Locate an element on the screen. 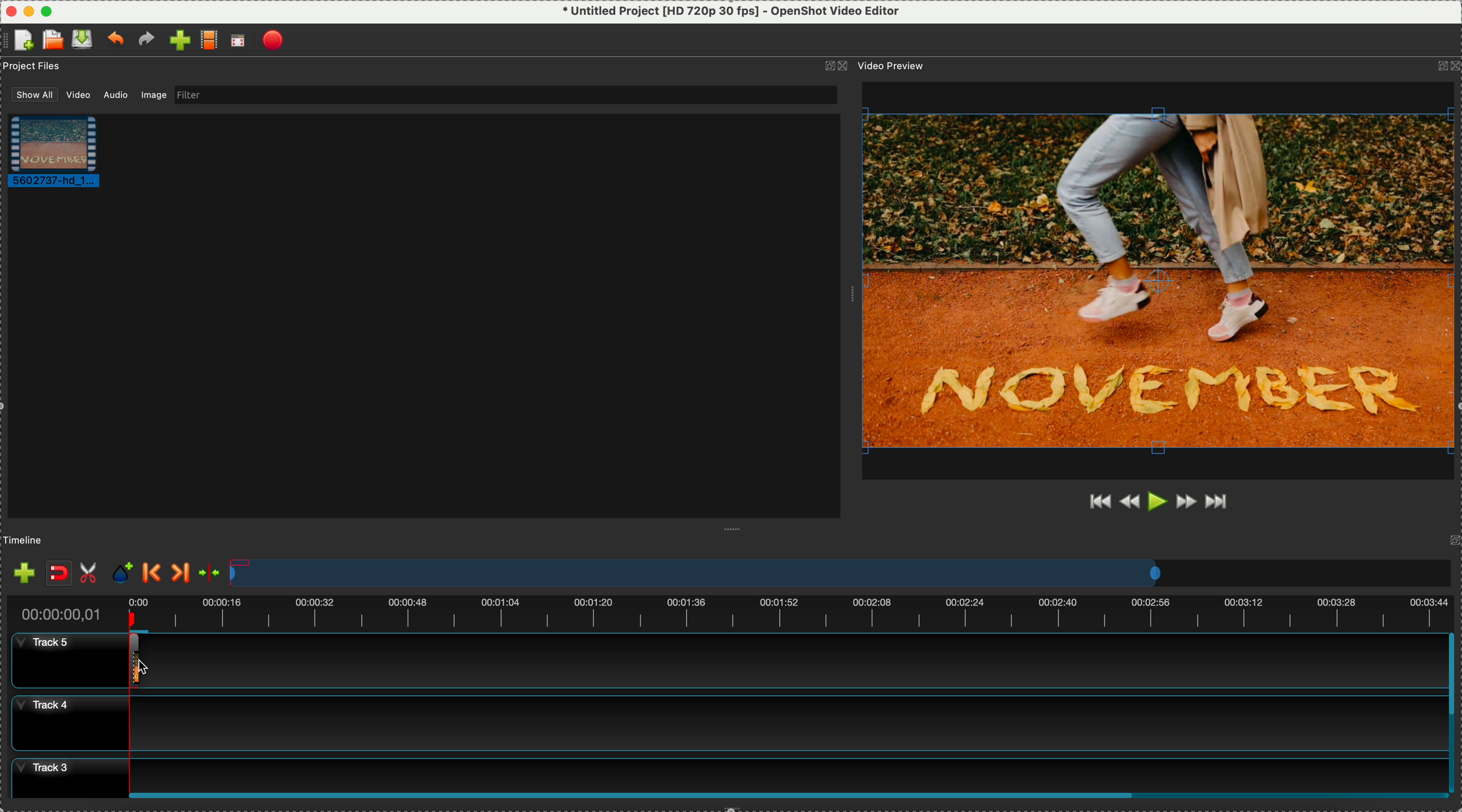  video preview is located at coordinates (1161, 280).